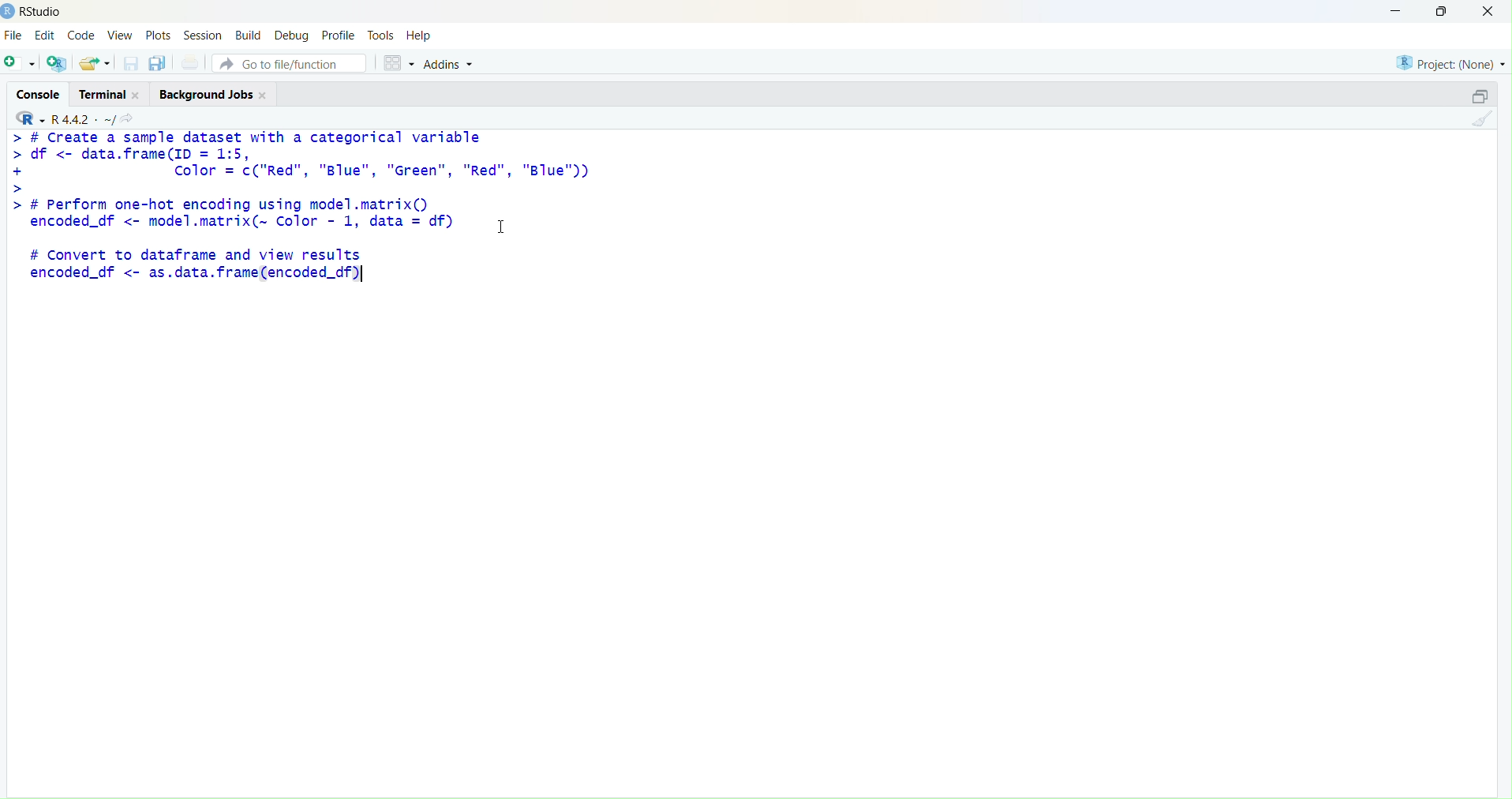  What do you see at coordinates (9, 13) in the screenshot?
I see `logo` at bounding box center [9, 13].